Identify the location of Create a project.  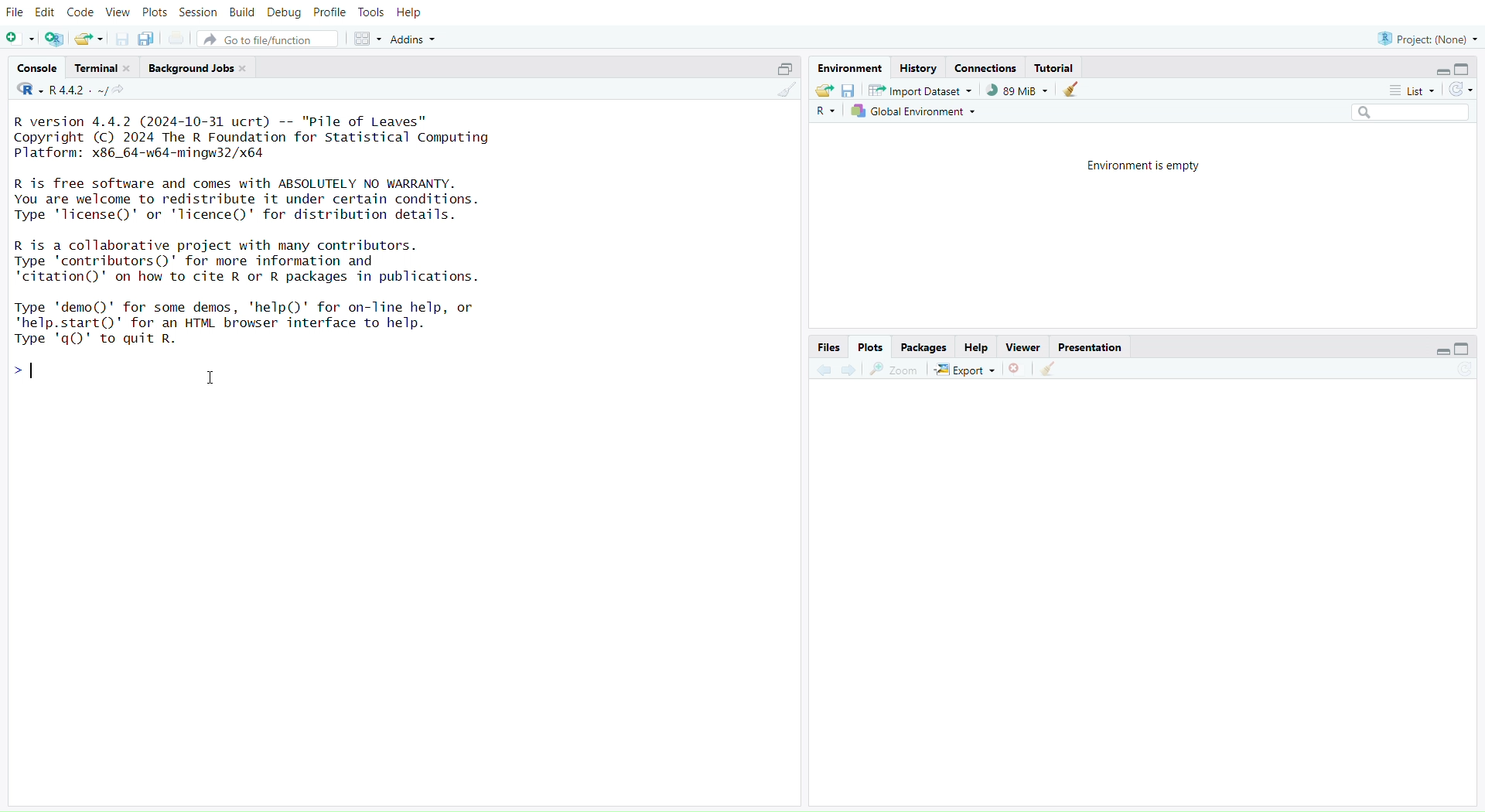
(55, 39).